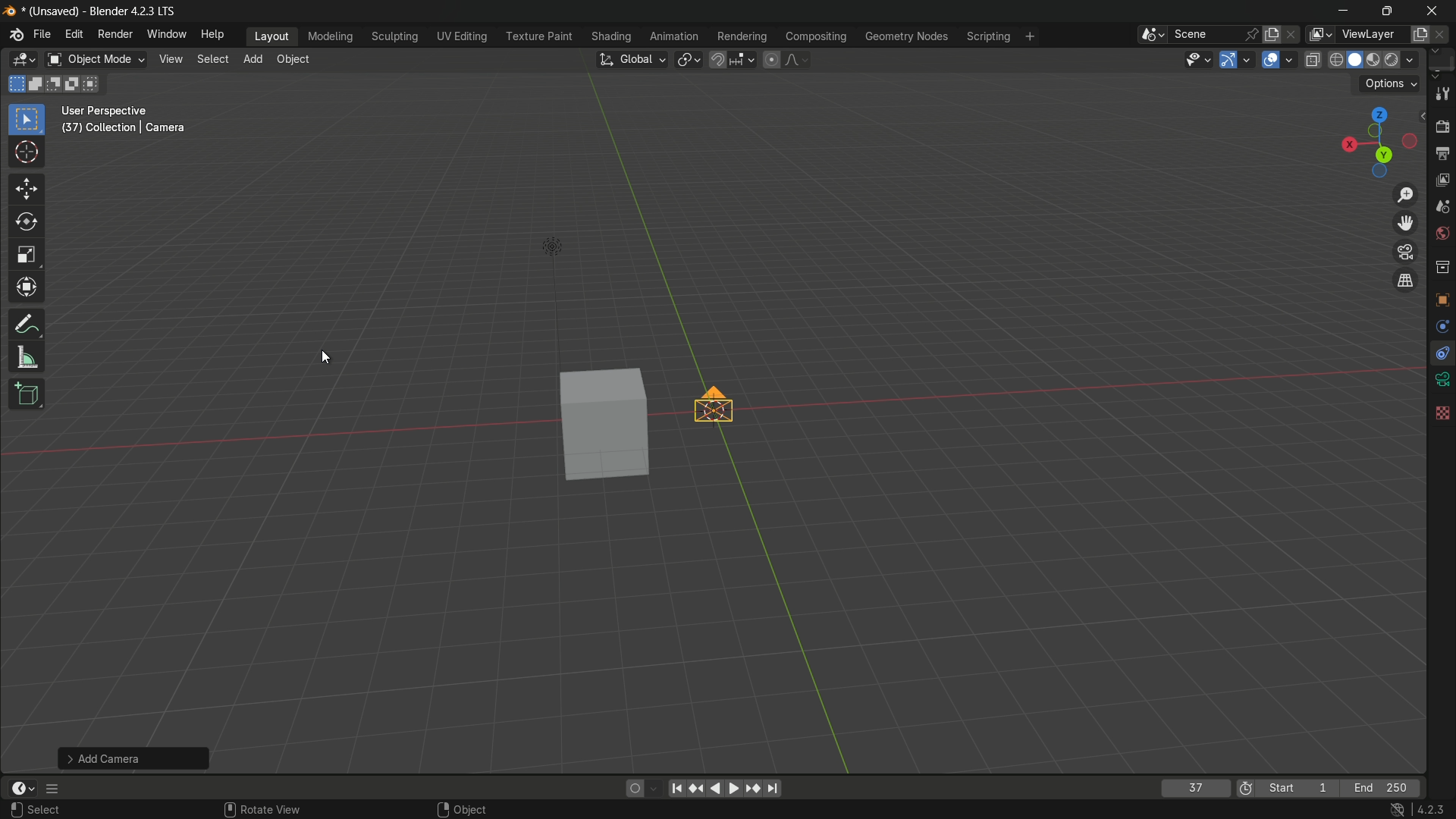  I want to click on auto keying, so click(635, 788).